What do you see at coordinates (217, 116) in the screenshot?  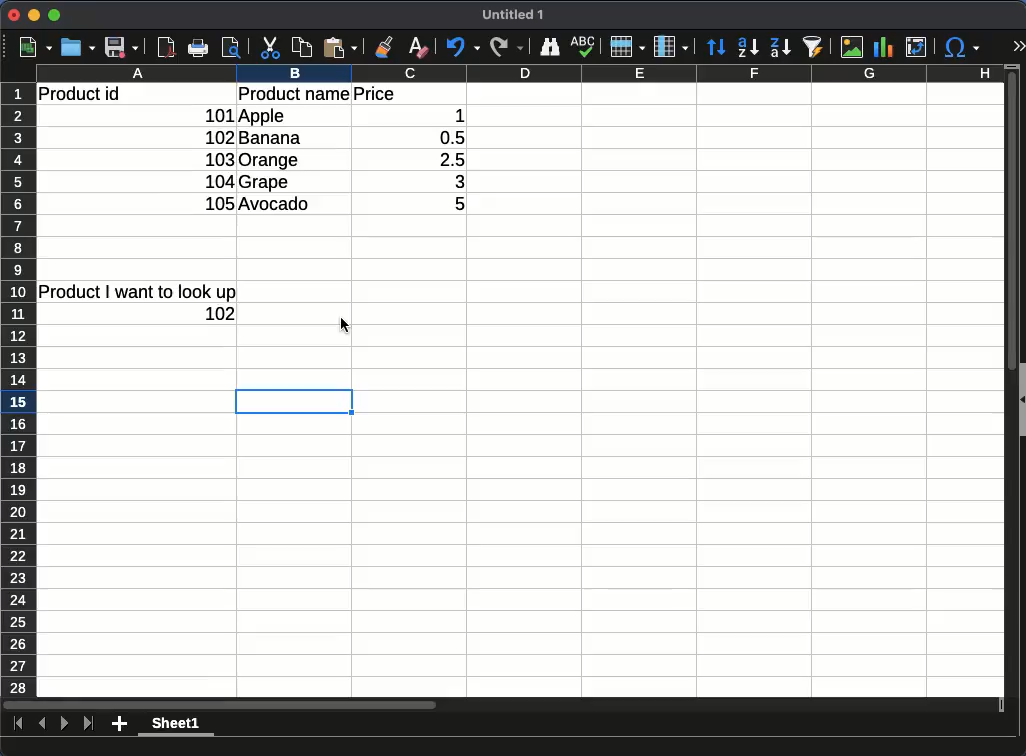 I see `101` at bounding box center [217, 116].